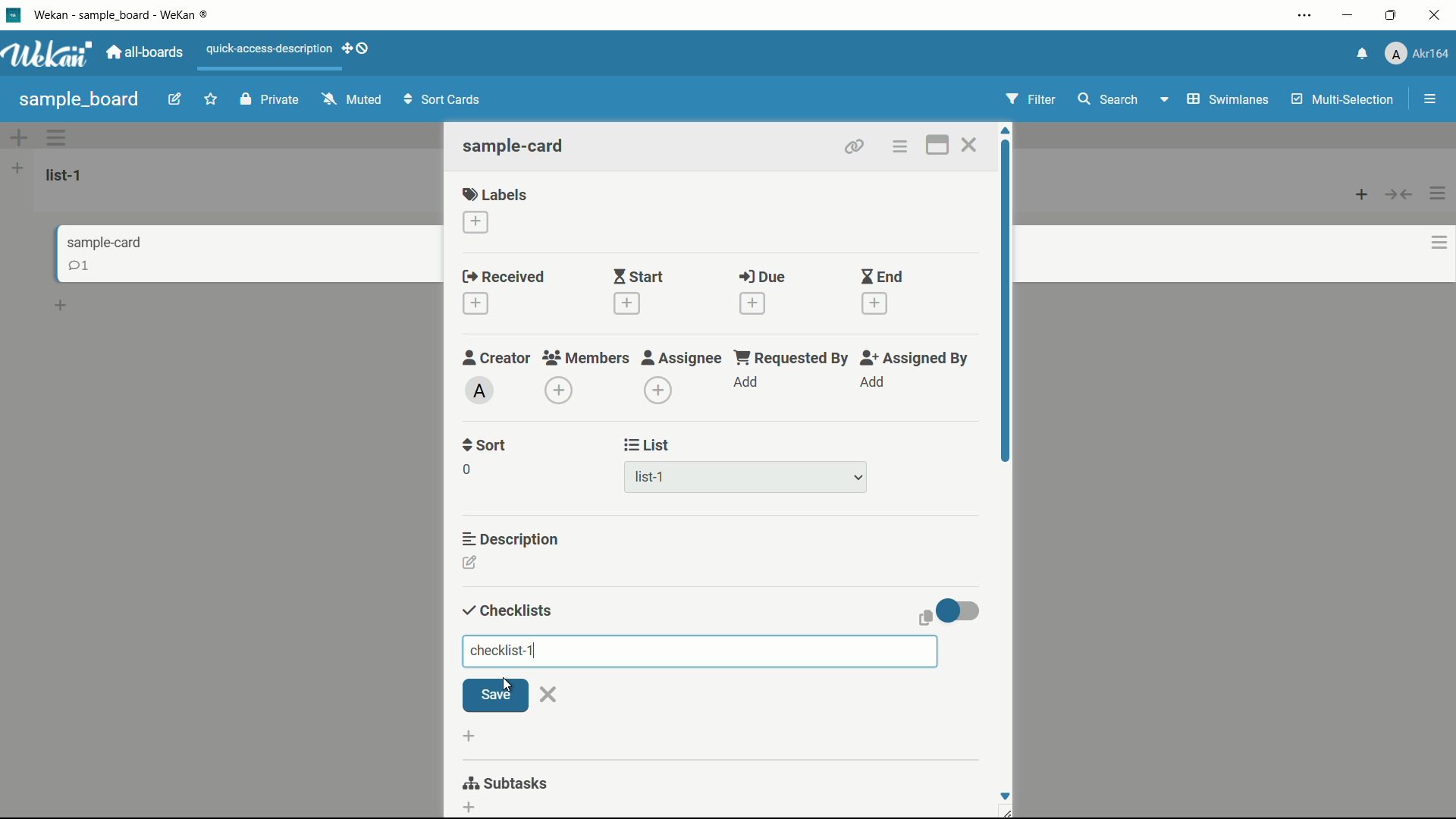 The width and height of the screenshot is (1456, 819). I want to click on minimize, so click(1349, 16).